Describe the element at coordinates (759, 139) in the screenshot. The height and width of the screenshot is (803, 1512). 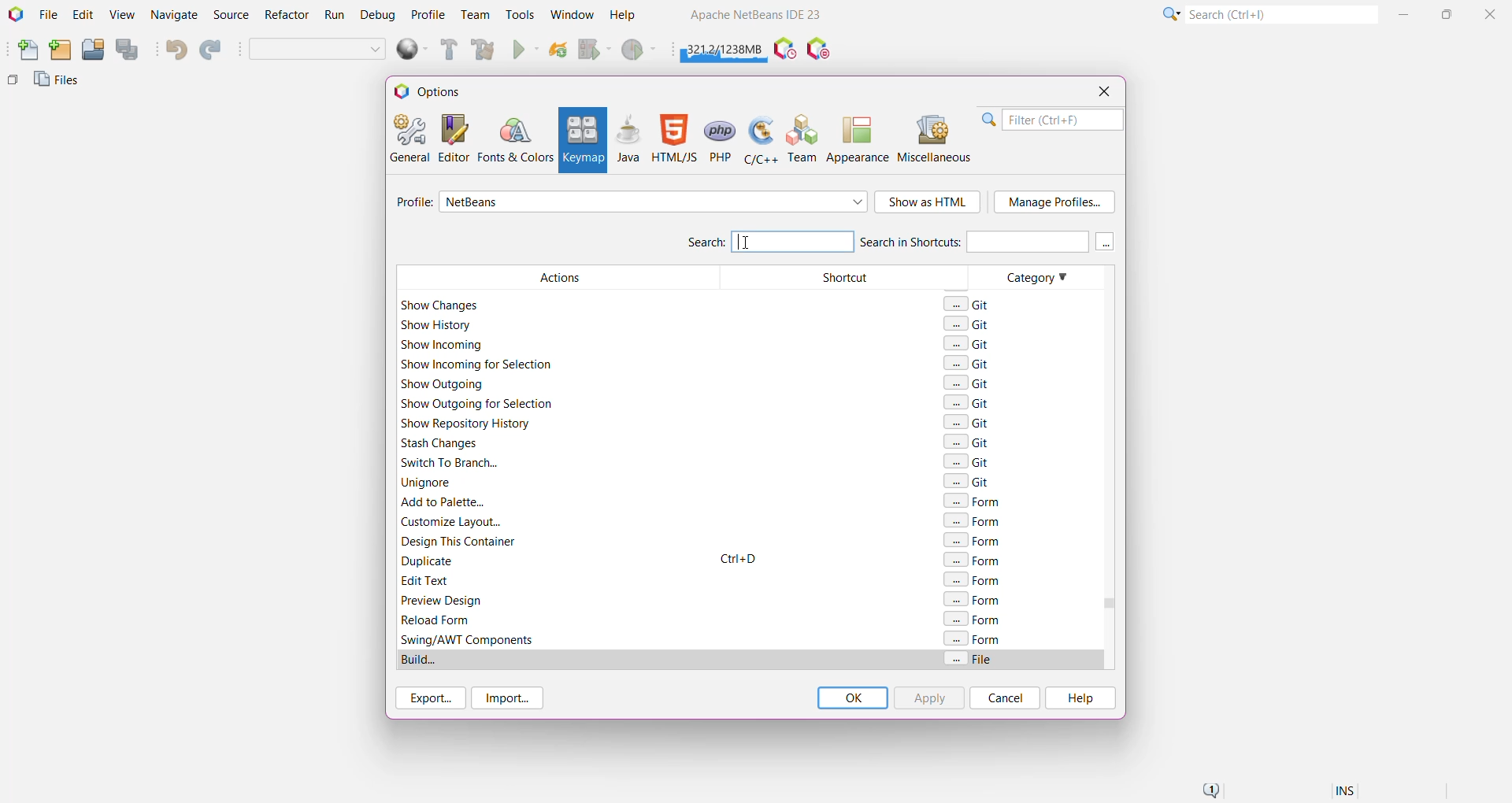
I see `C/C++` at that location.